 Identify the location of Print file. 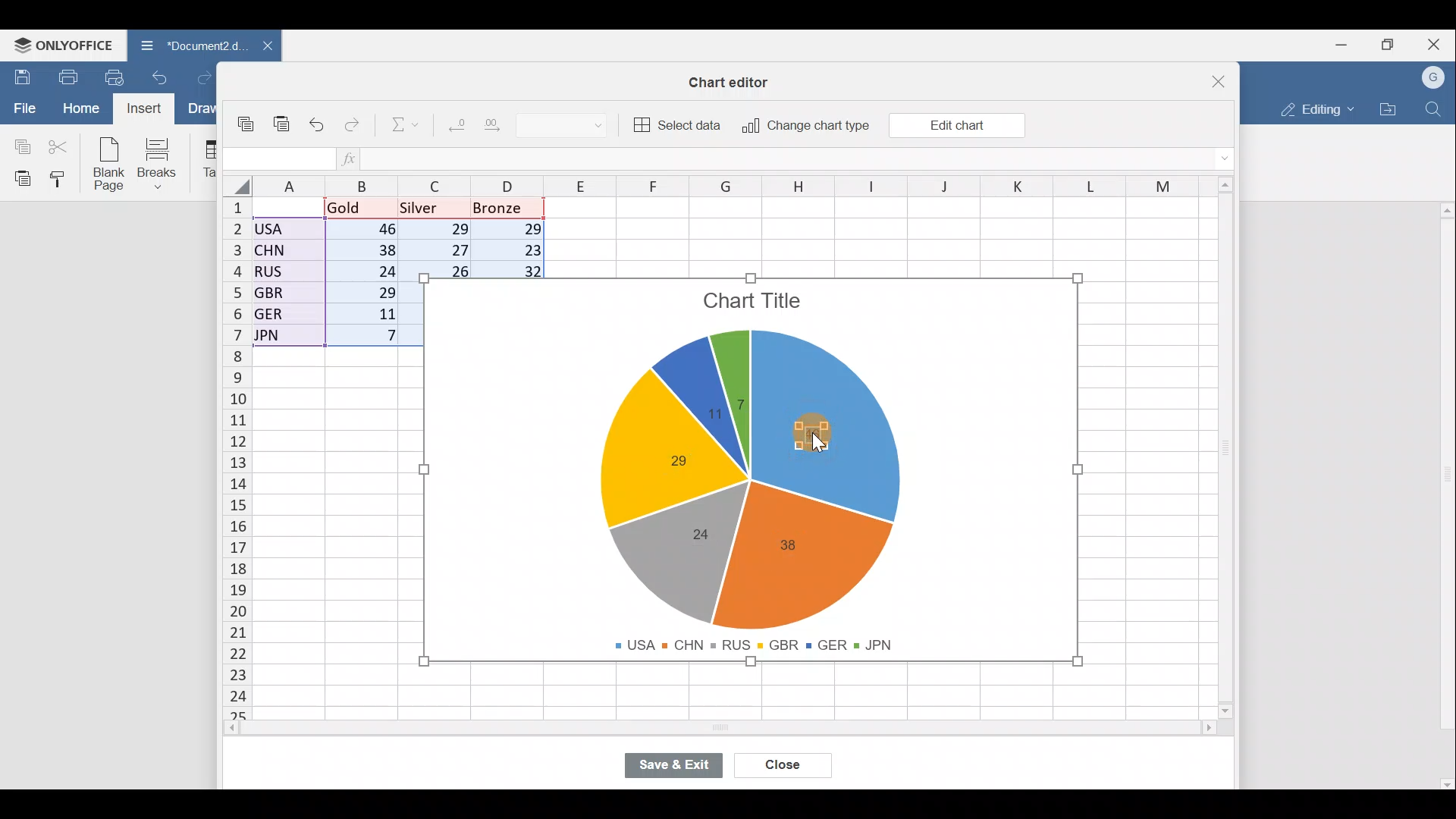
(67, 76).